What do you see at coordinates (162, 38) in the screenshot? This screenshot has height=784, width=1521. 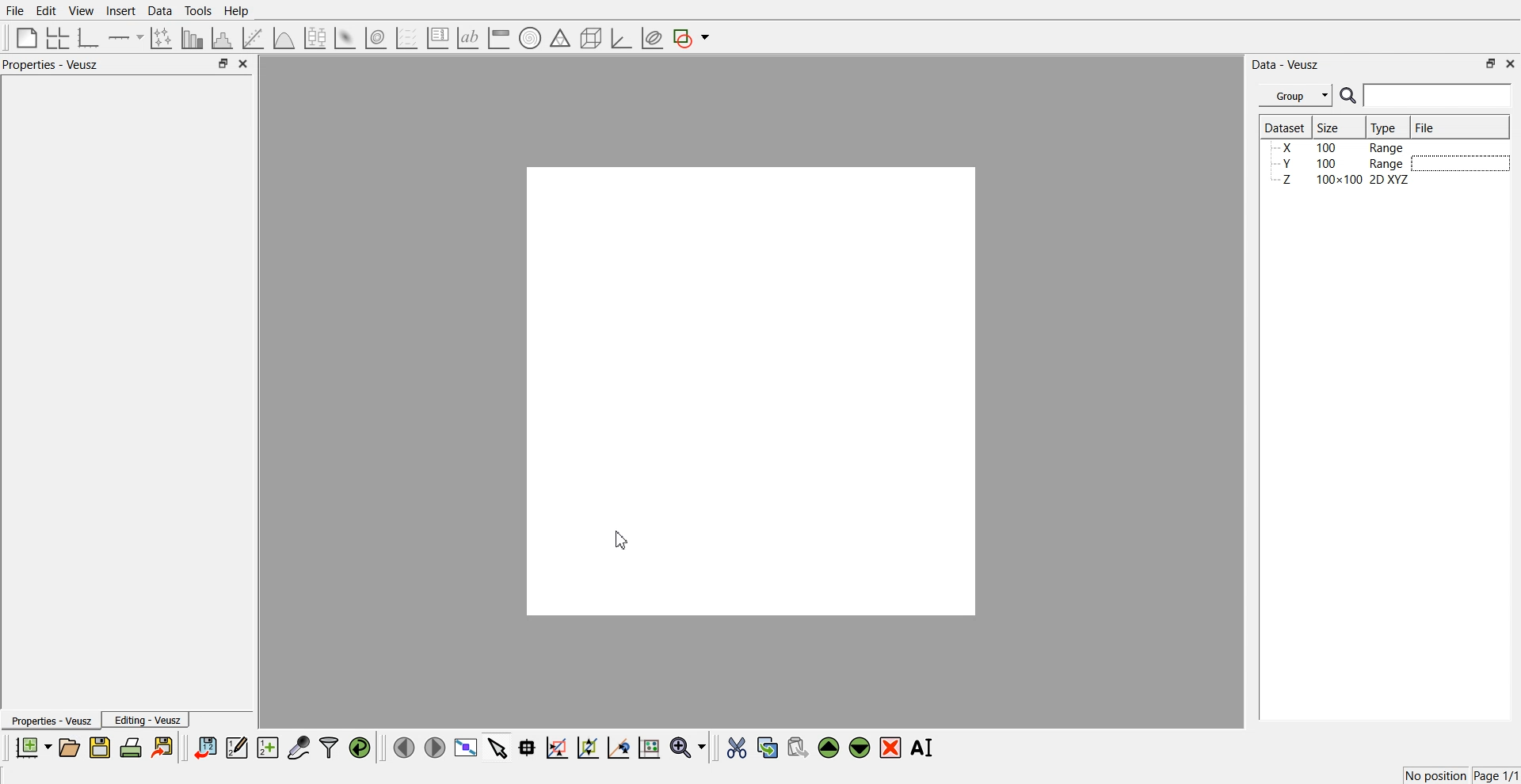 I see `Plot points with lines` at bounding box center [162, 38].